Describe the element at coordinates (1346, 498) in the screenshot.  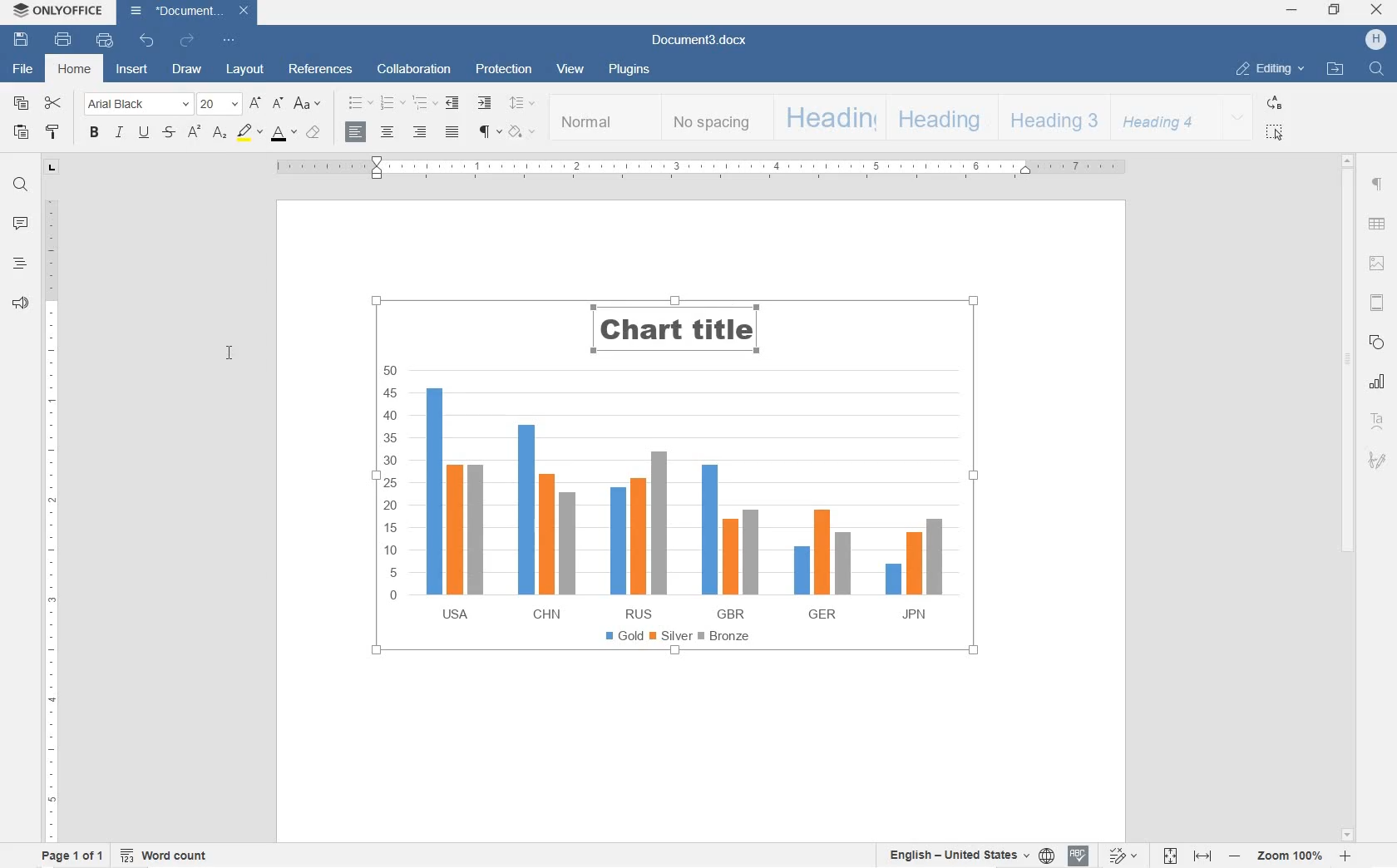
I see `SCROLLBAR` at that location.